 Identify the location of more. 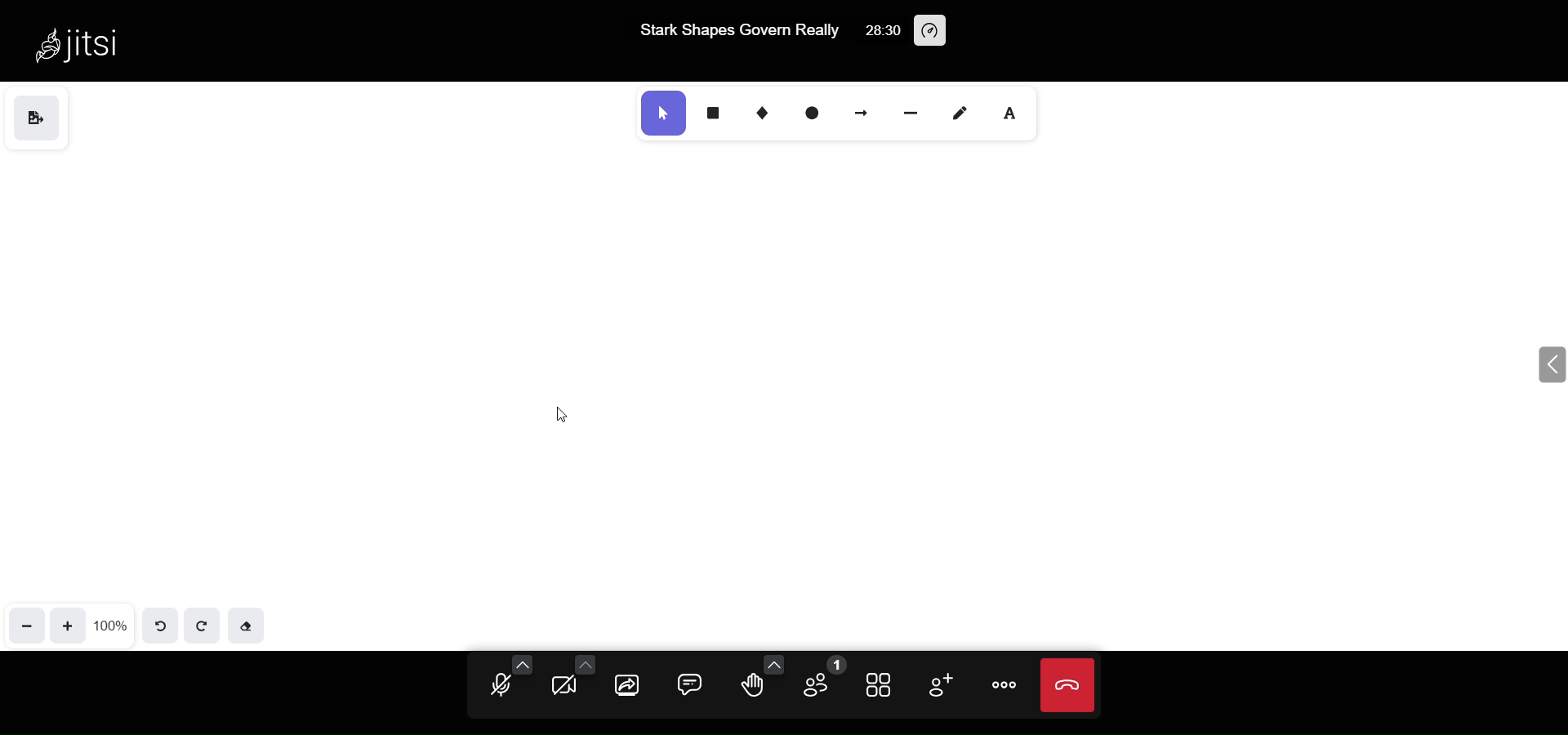
(1006, 687).